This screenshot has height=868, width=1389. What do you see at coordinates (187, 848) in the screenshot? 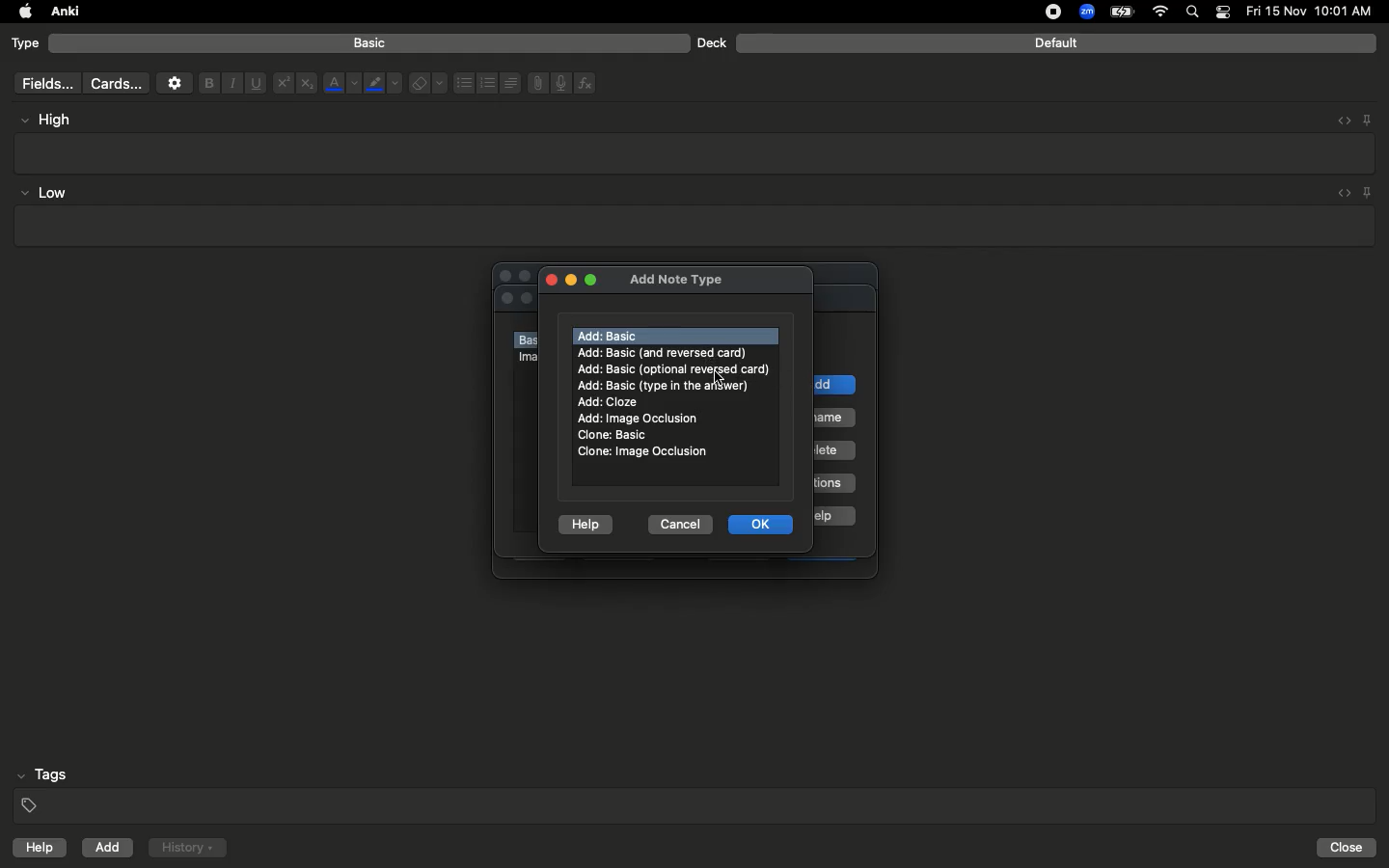
I see `History` at bounding box center [187, 848].